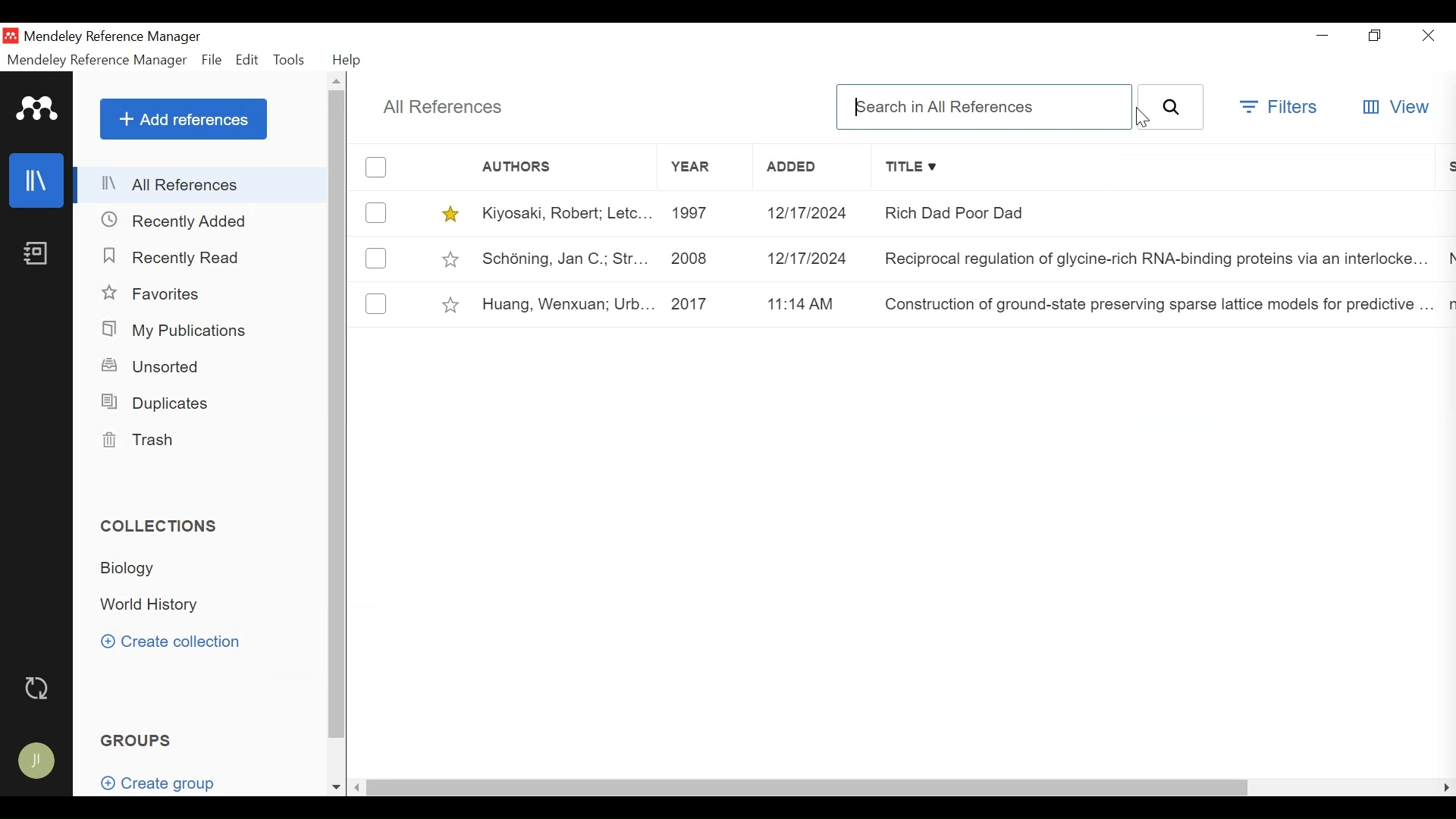 The image size is (1456, 819). I want to click on Cursor , so click(1140, 120).